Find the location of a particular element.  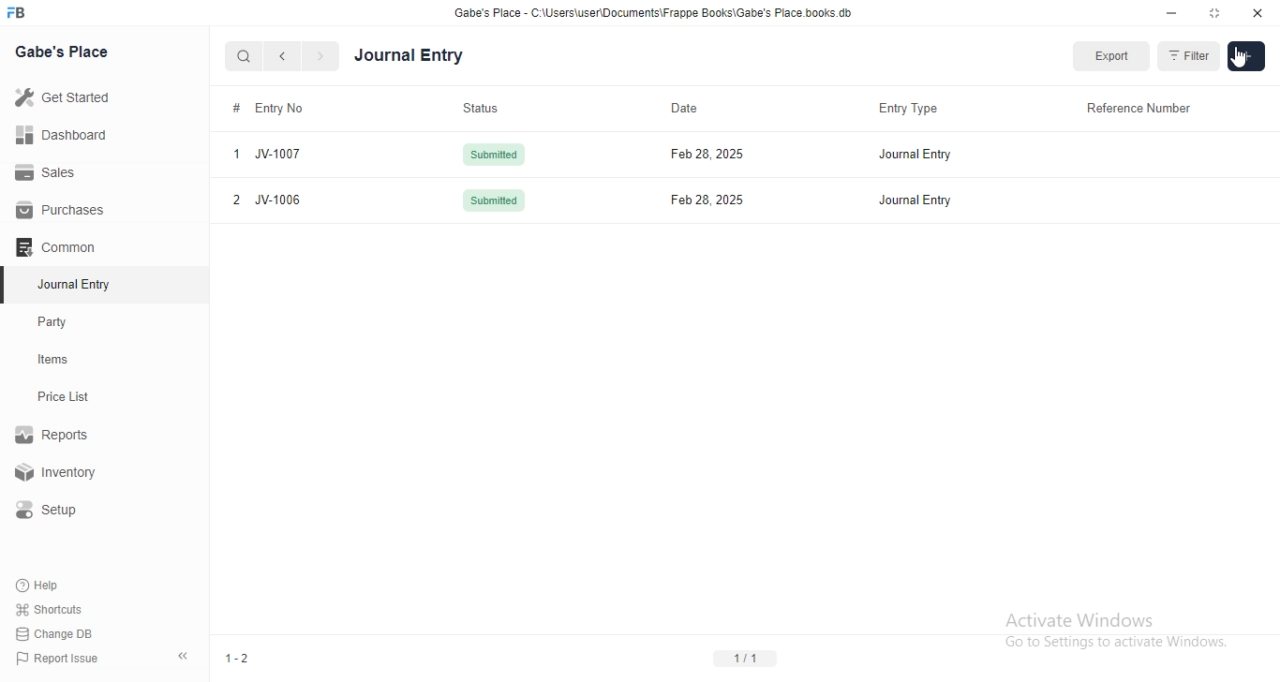

JV-1006 is located at coordinates (282, 200).